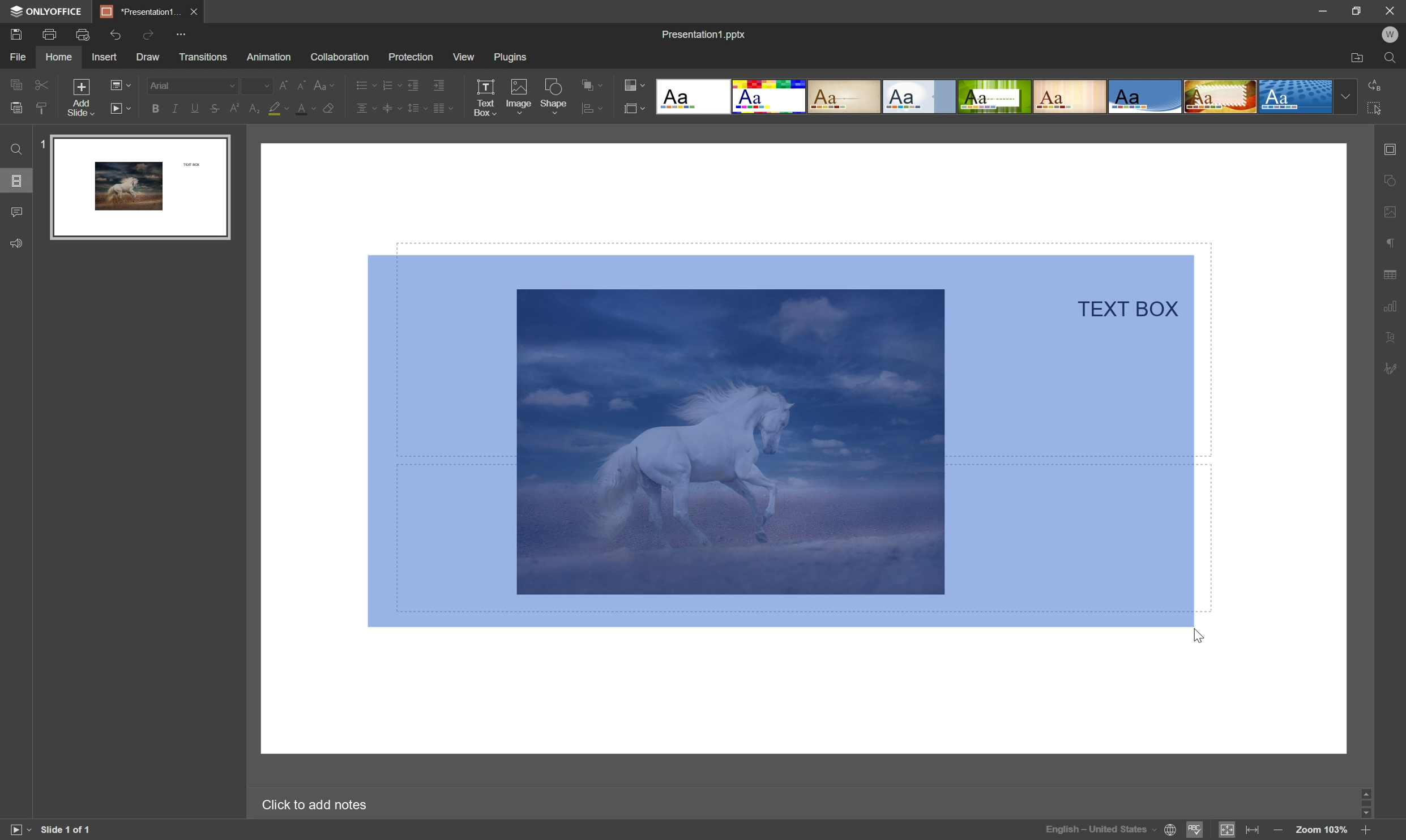 This screenshot has height=840, width=1406. What do you see at coordinates (50, 33) in the screenshot?
I see `print` at bounding box center [50, 33].